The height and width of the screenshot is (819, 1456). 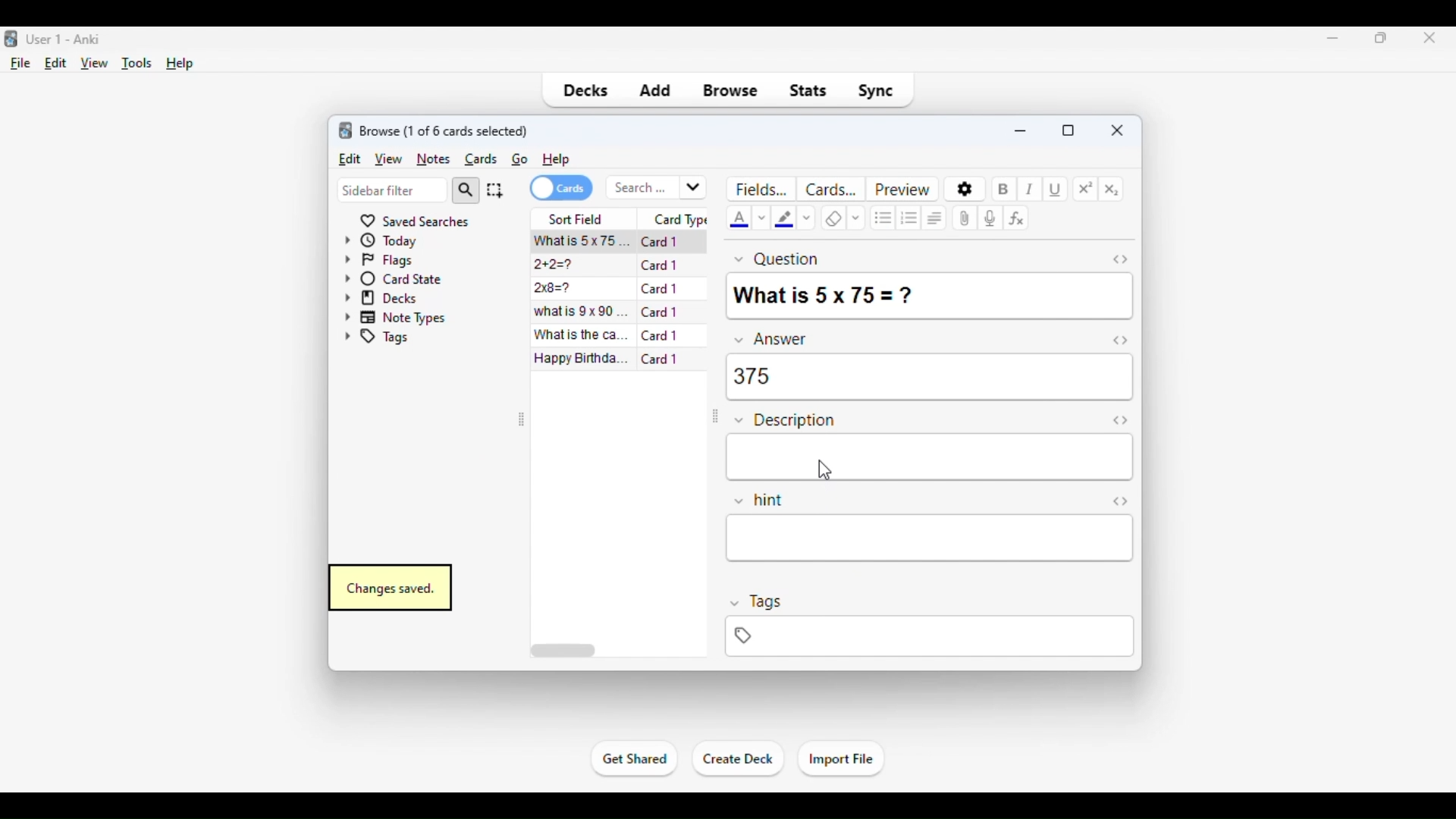 What do you see at coordinates (349, 158) in the screenshot?
I see `edit` at bounding box center [349, 158].